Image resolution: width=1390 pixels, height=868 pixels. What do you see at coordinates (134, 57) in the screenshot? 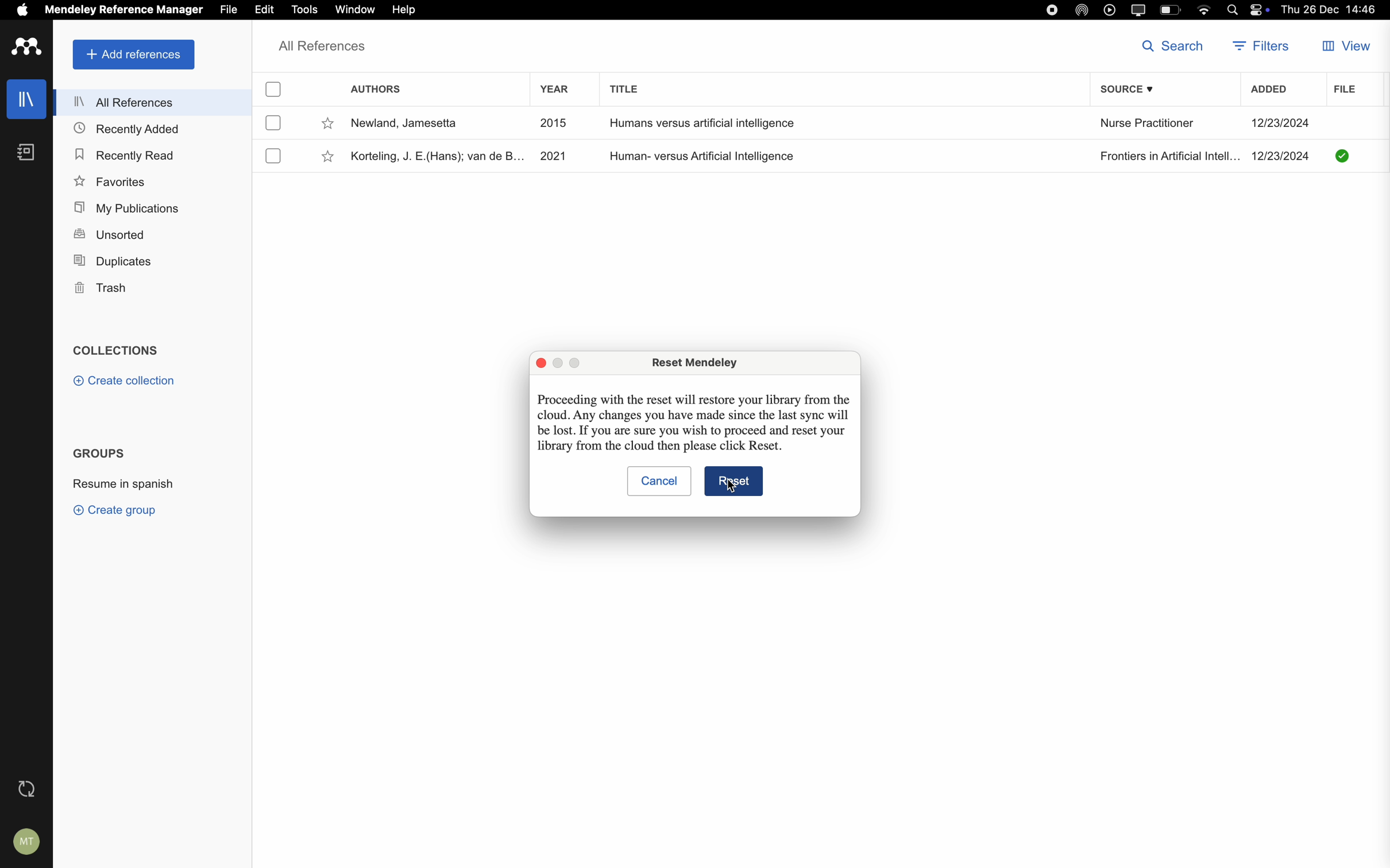
I see `add references` at bounding box center [134, 57].